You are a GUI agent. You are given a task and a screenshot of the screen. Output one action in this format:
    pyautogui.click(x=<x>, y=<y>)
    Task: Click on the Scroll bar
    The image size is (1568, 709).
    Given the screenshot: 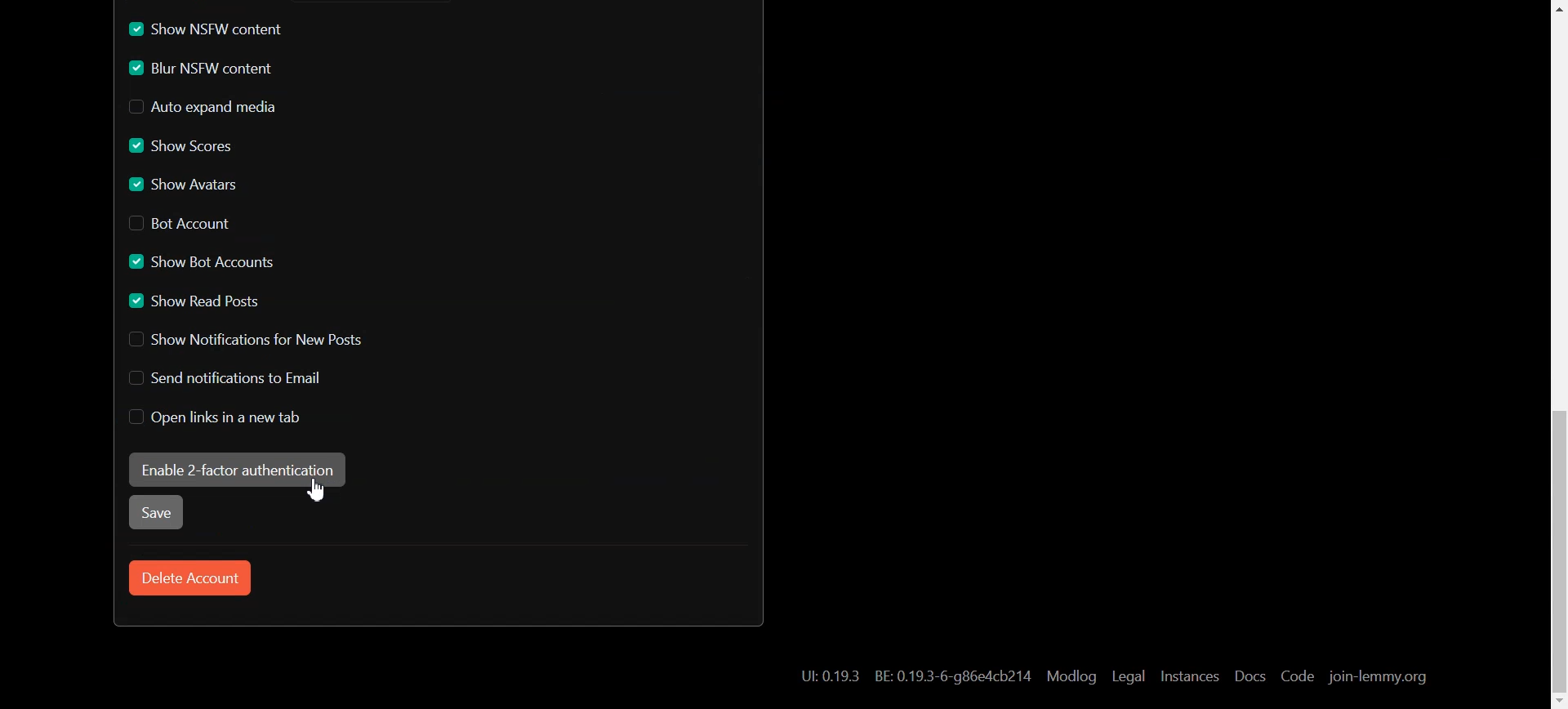 What is the action you would take?
    pyautogui.click(x=1554, y=354)
    